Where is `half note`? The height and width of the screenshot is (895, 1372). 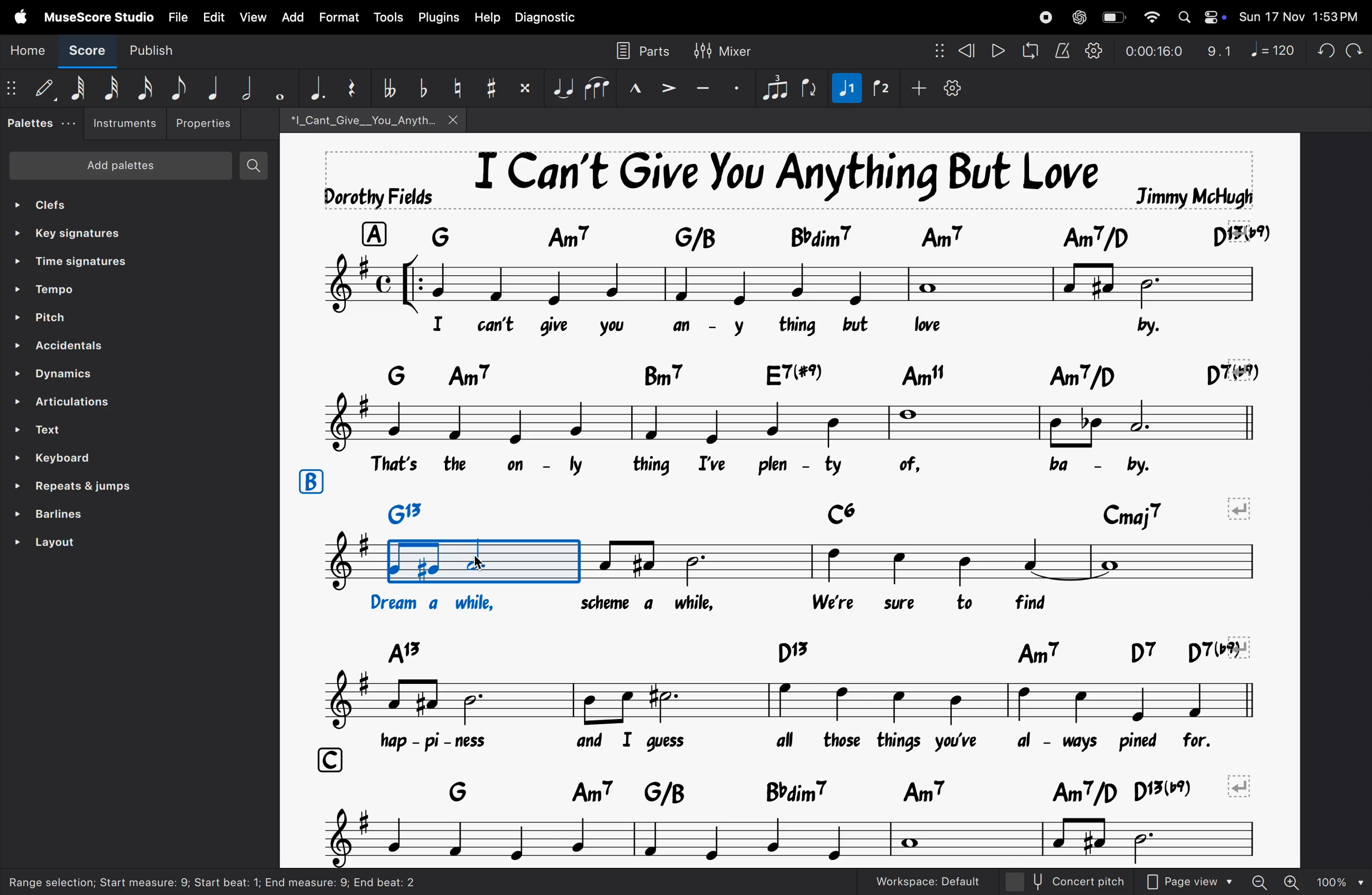 half note is located at coordinates (244, 88).